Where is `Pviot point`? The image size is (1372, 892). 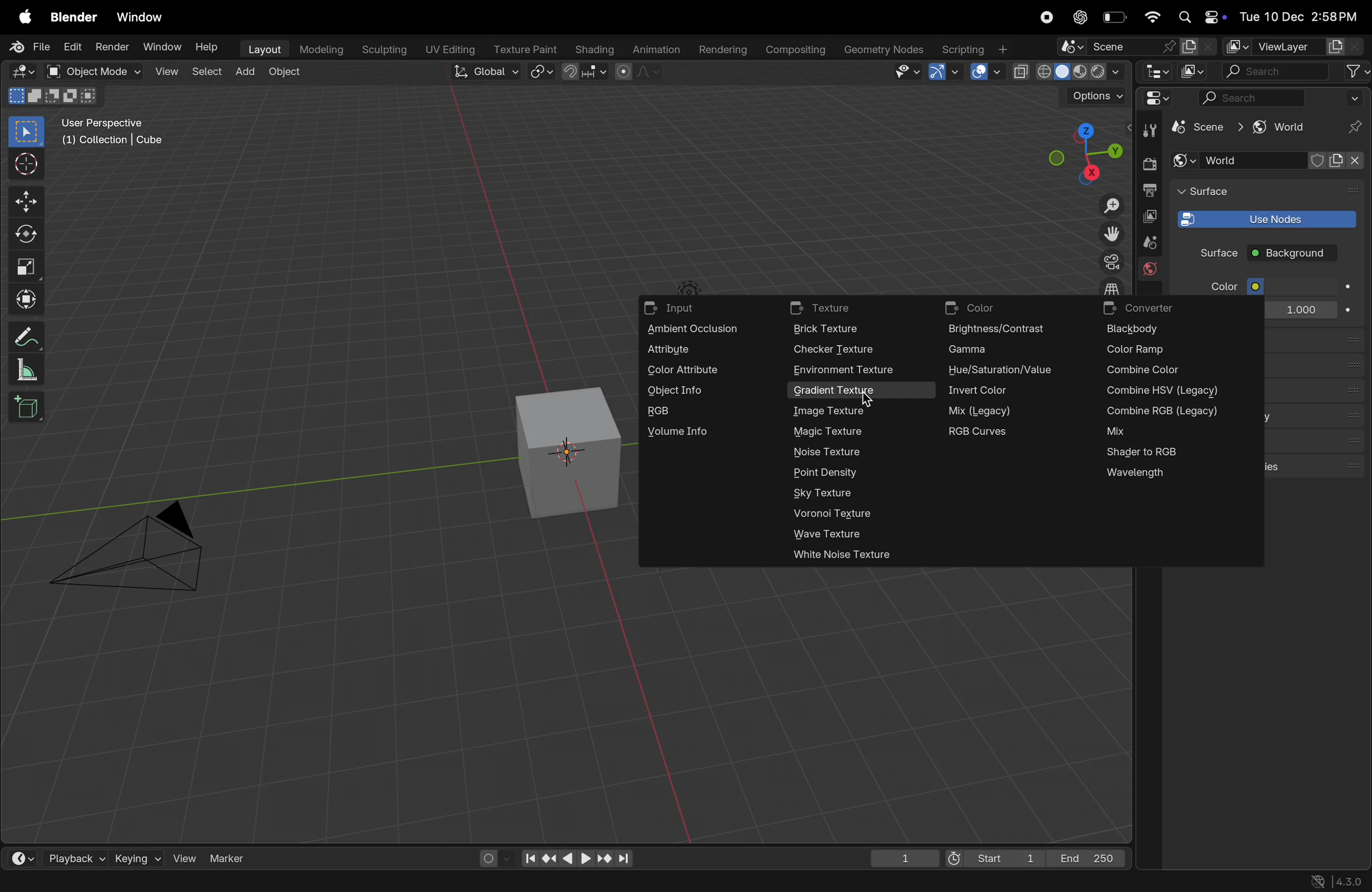 Pviot point is located at coordinates (542, 73).